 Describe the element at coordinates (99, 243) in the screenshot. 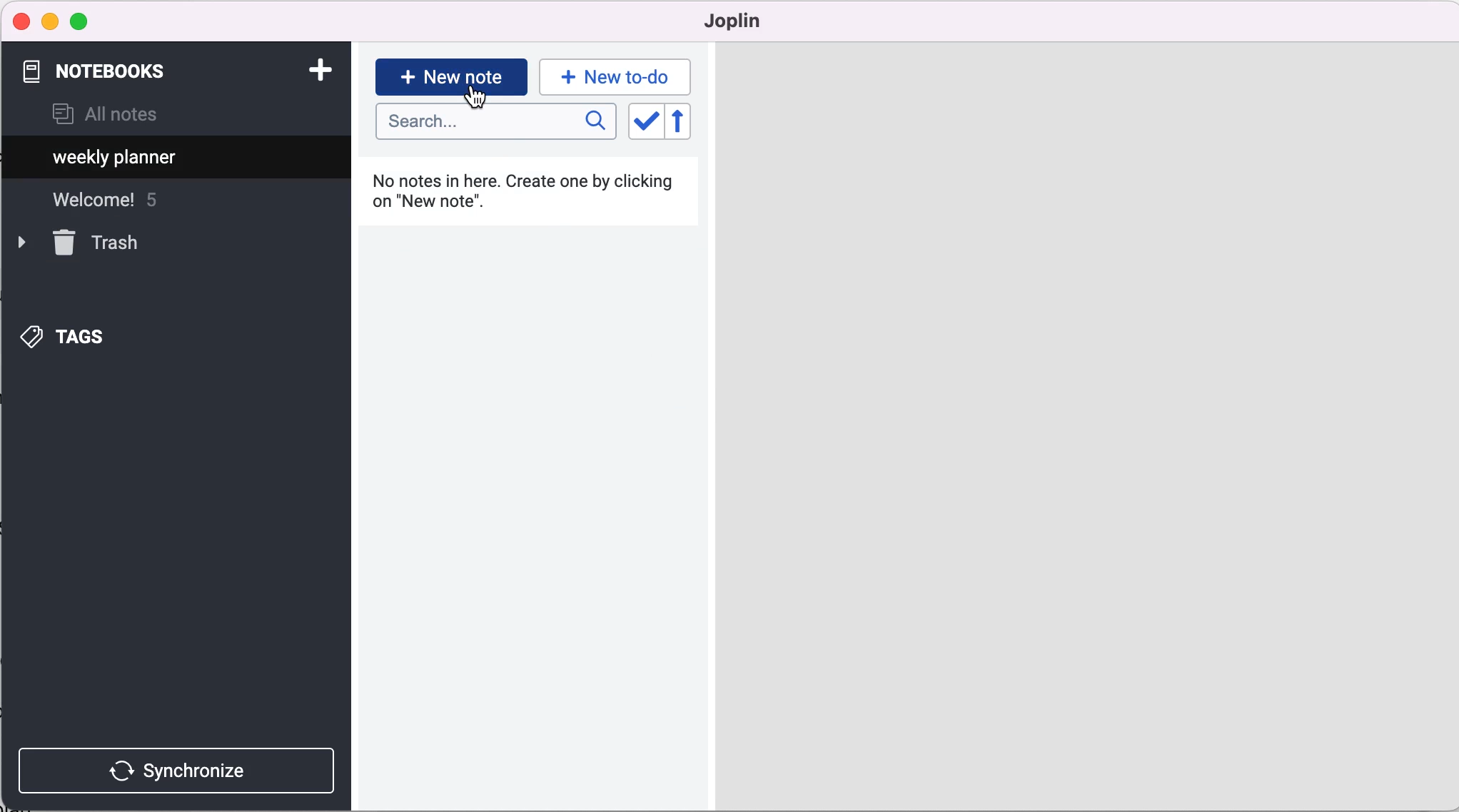

I see `trash` at that location.